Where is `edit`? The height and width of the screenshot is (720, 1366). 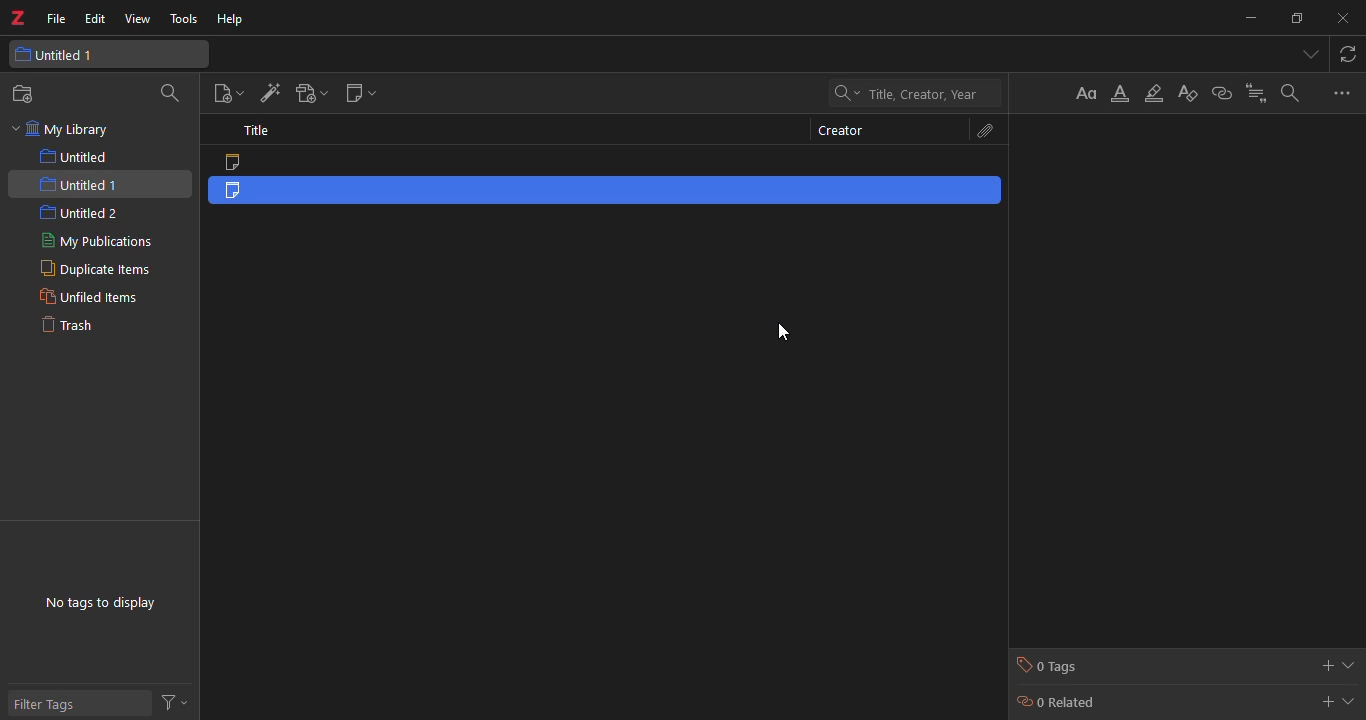 edit is located at coordinates (94, 20).